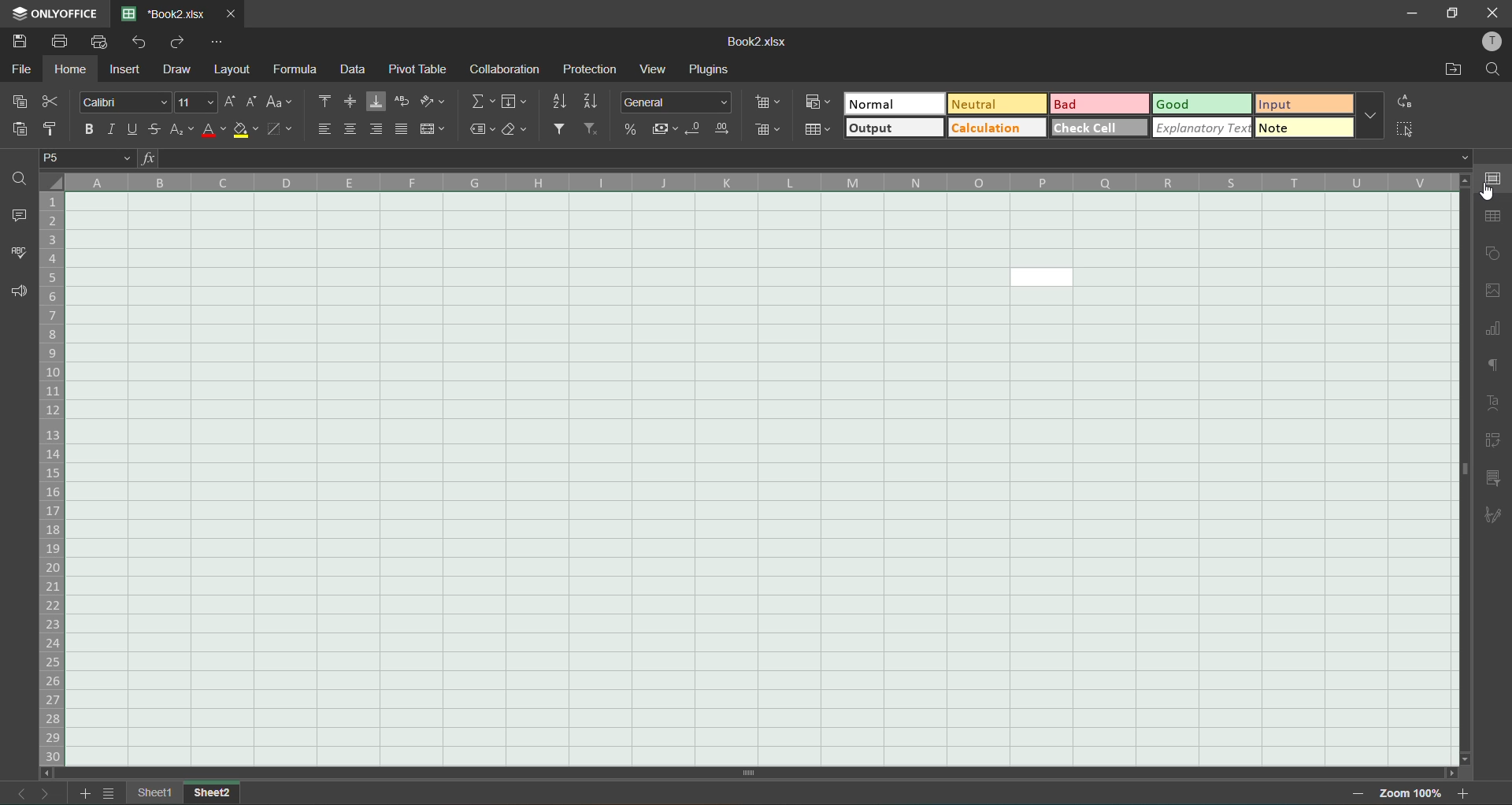 This screenshot has height=805, width=1512. I want to click on conditional formatting, so click(813, 103).